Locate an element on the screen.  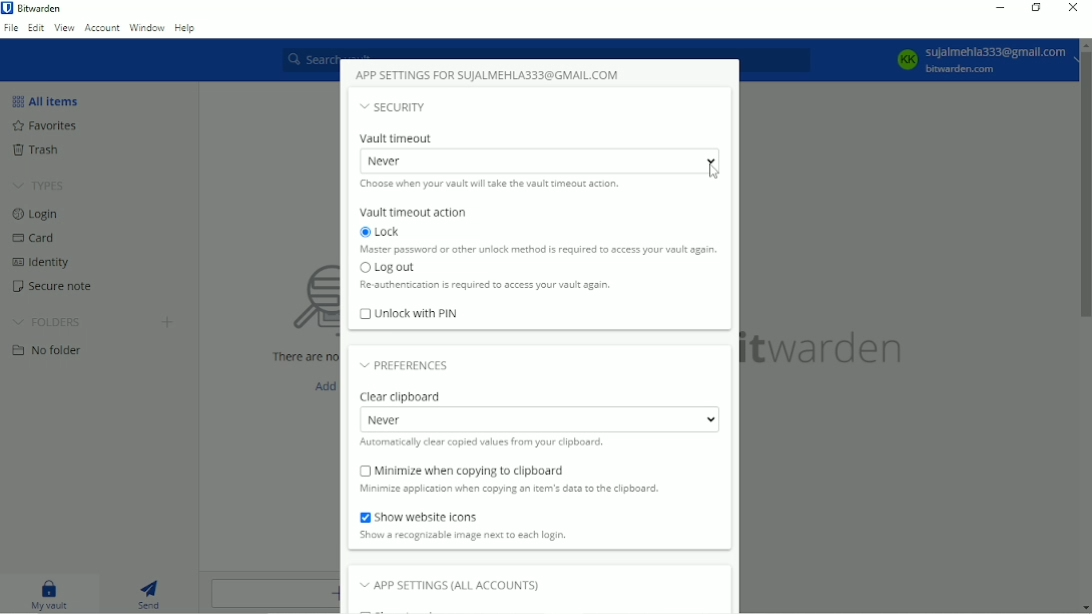
Add folder is located at coordinates (167, 321).